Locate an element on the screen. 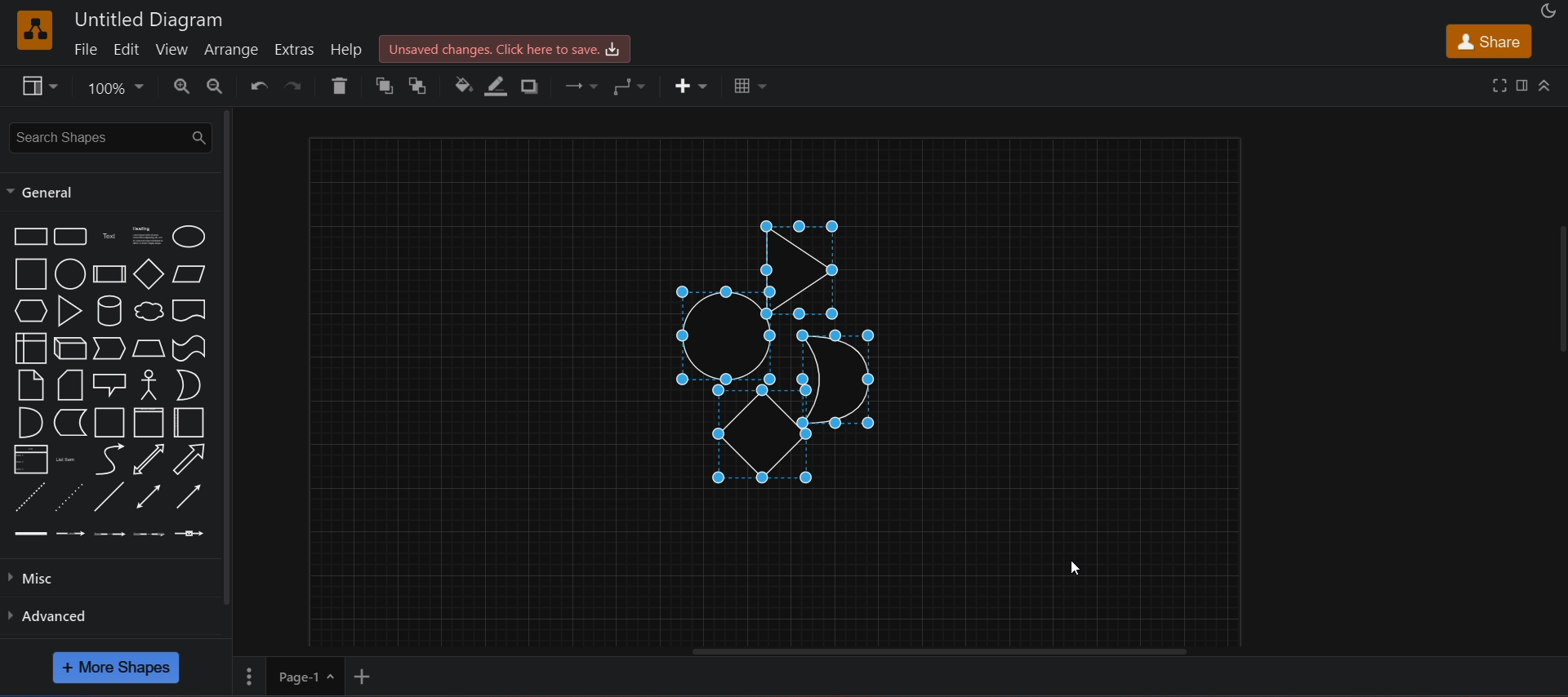 The height and width of the screenshot is (697, 1568). ellipse is located at coordinates (187, 237).